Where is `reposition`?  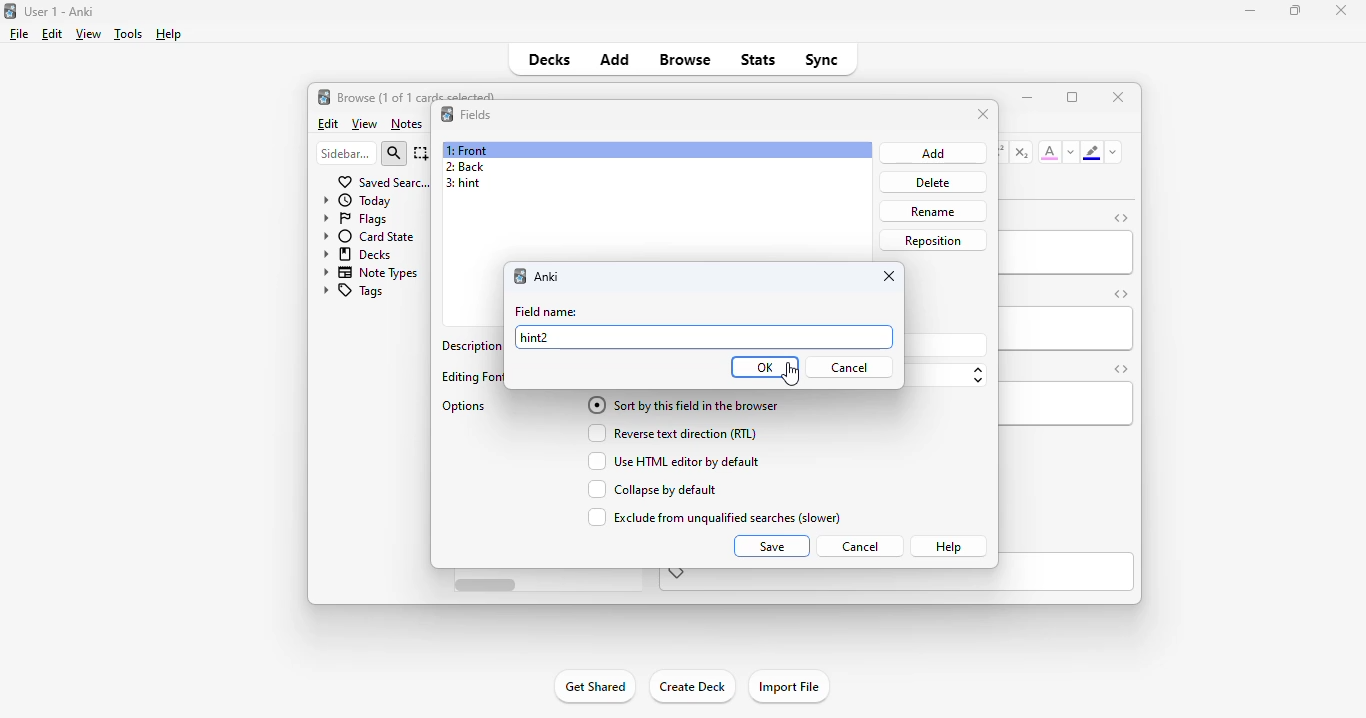 reposition is located at coordinates (934, 241).